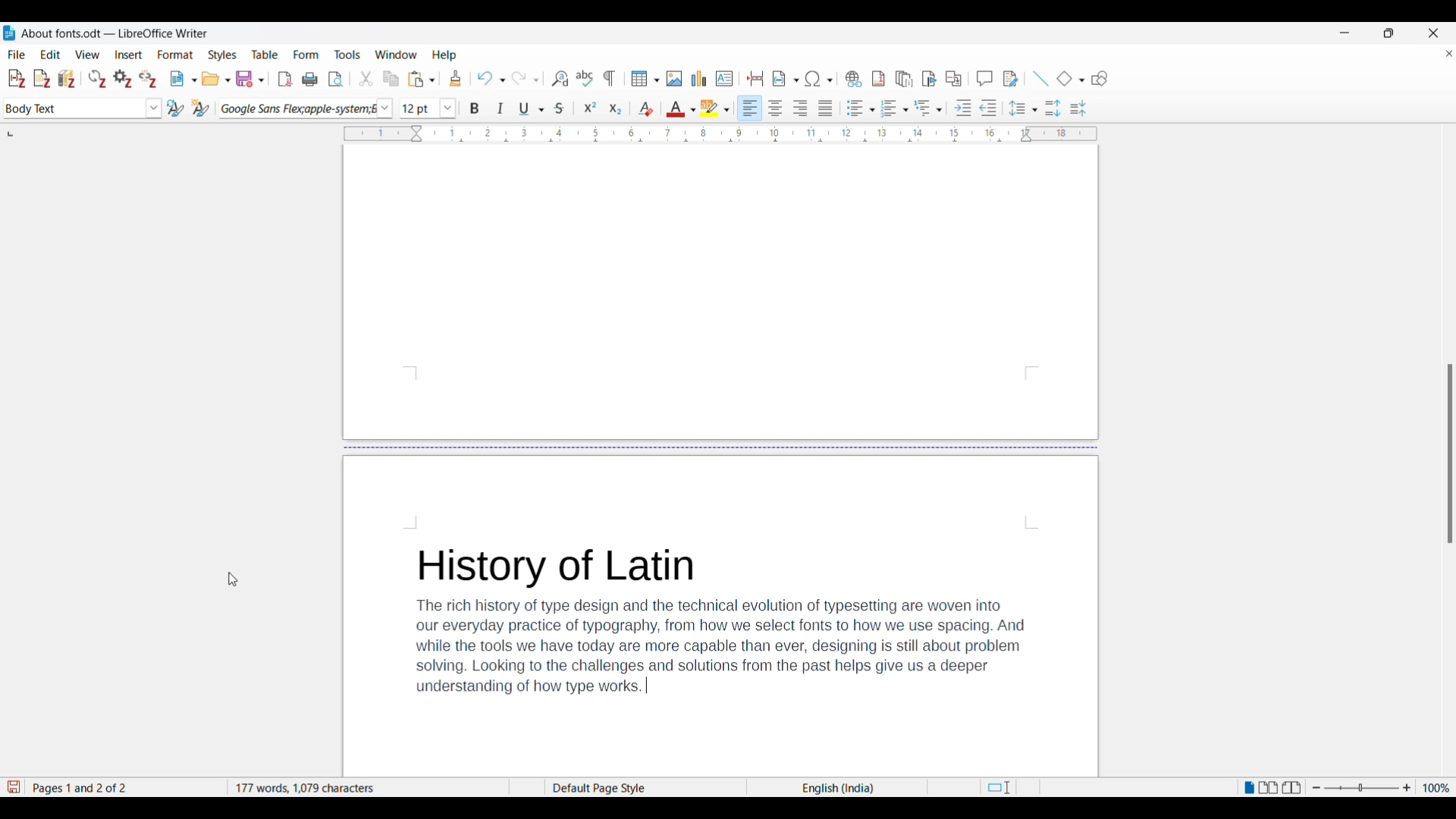 This screenshot has width=1456, height=819. Describe the element at coordinates (491, 79) in the screenshot. I see `Undo options` at that location.